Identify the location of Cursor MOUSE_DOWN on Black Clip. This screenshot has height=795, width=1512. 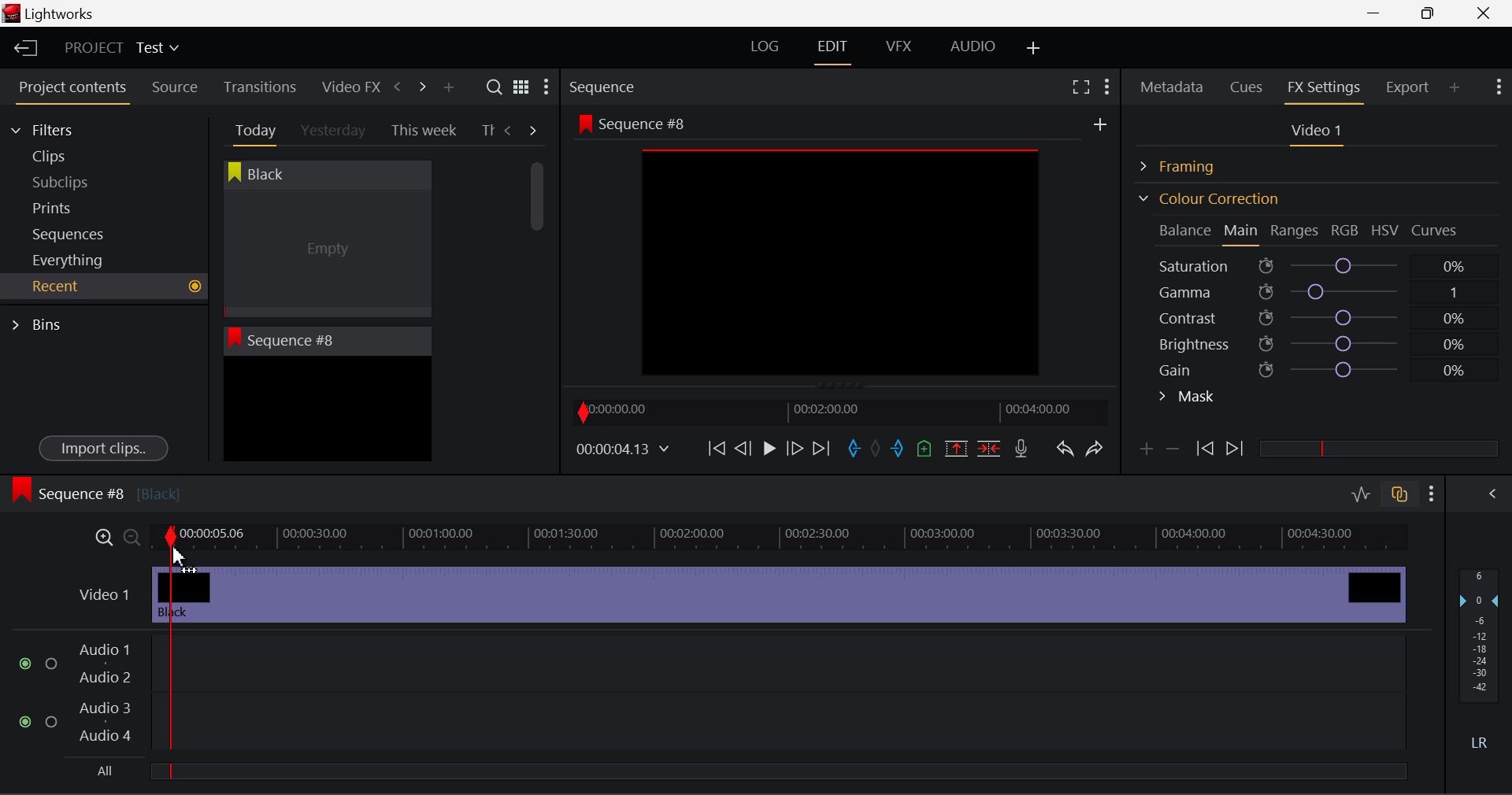
(325, 253).